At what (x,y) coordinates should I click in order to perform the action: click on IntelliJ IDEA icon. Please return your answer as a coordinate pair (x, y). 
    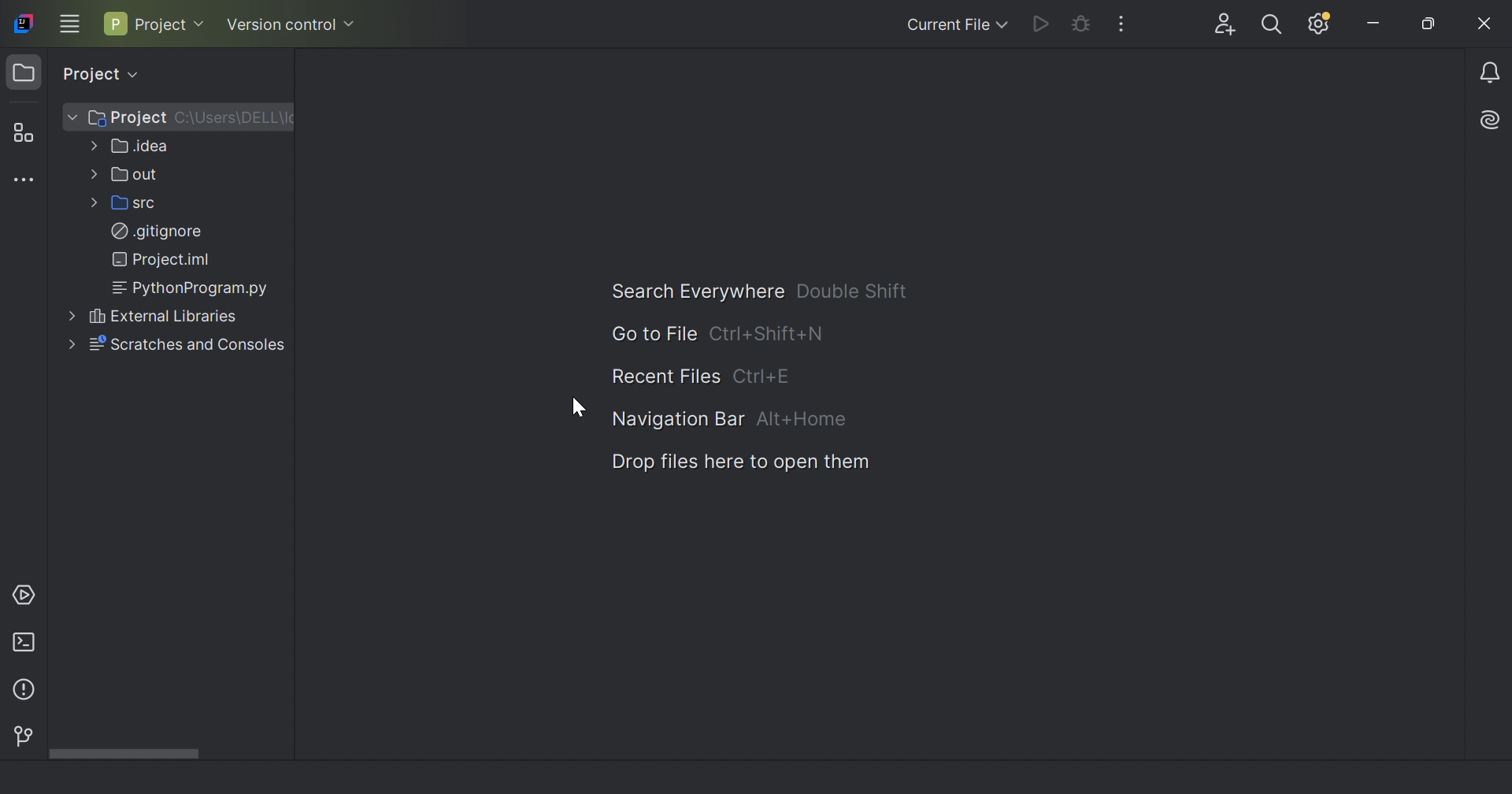
    Looking at the image, I should click on (26, 22).